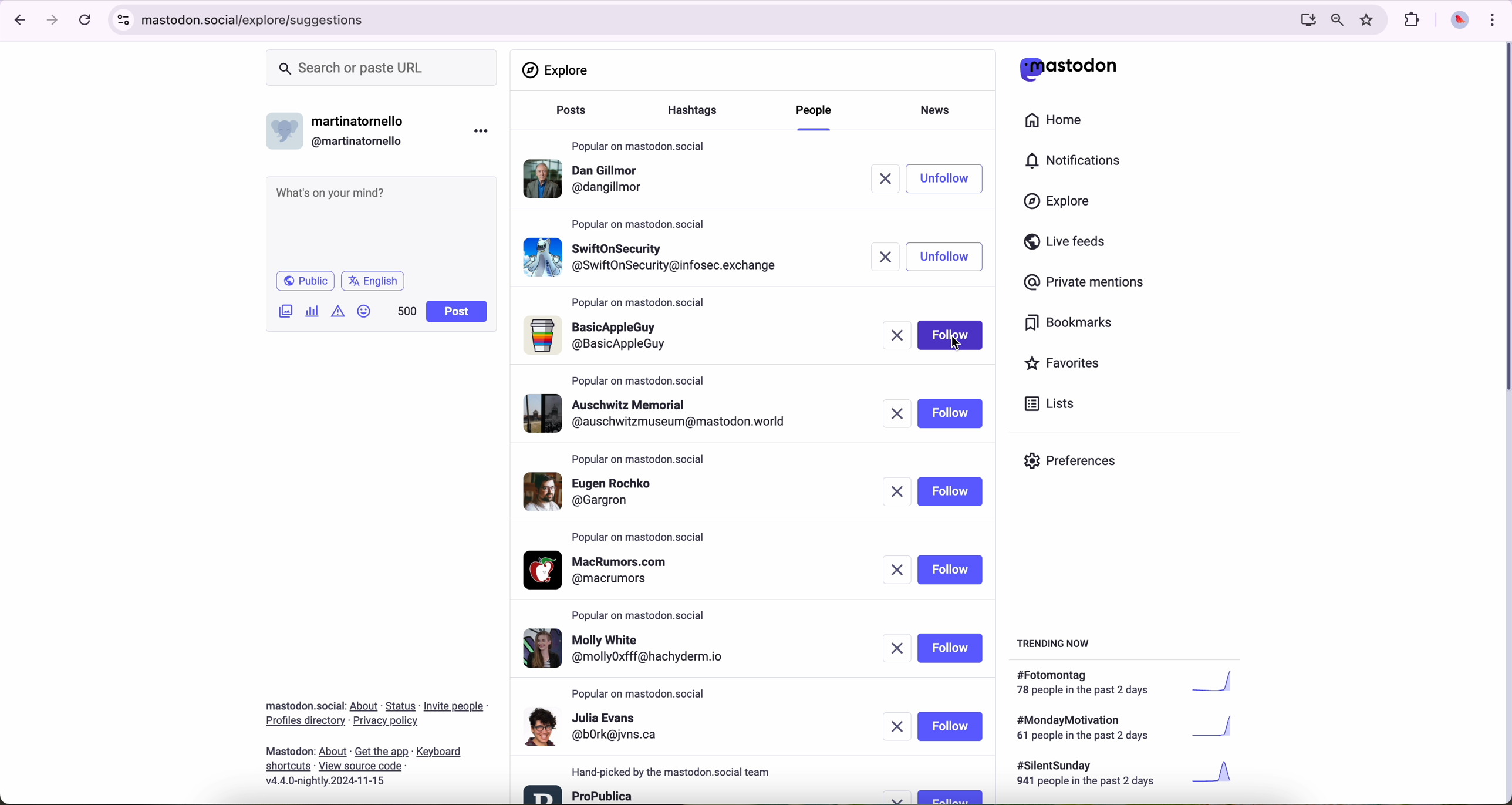 The image size is (1512, 805). What do you see at coordinates (950, 648) in the screenshot?
I see `follow button` at bounding box center [950, 648].